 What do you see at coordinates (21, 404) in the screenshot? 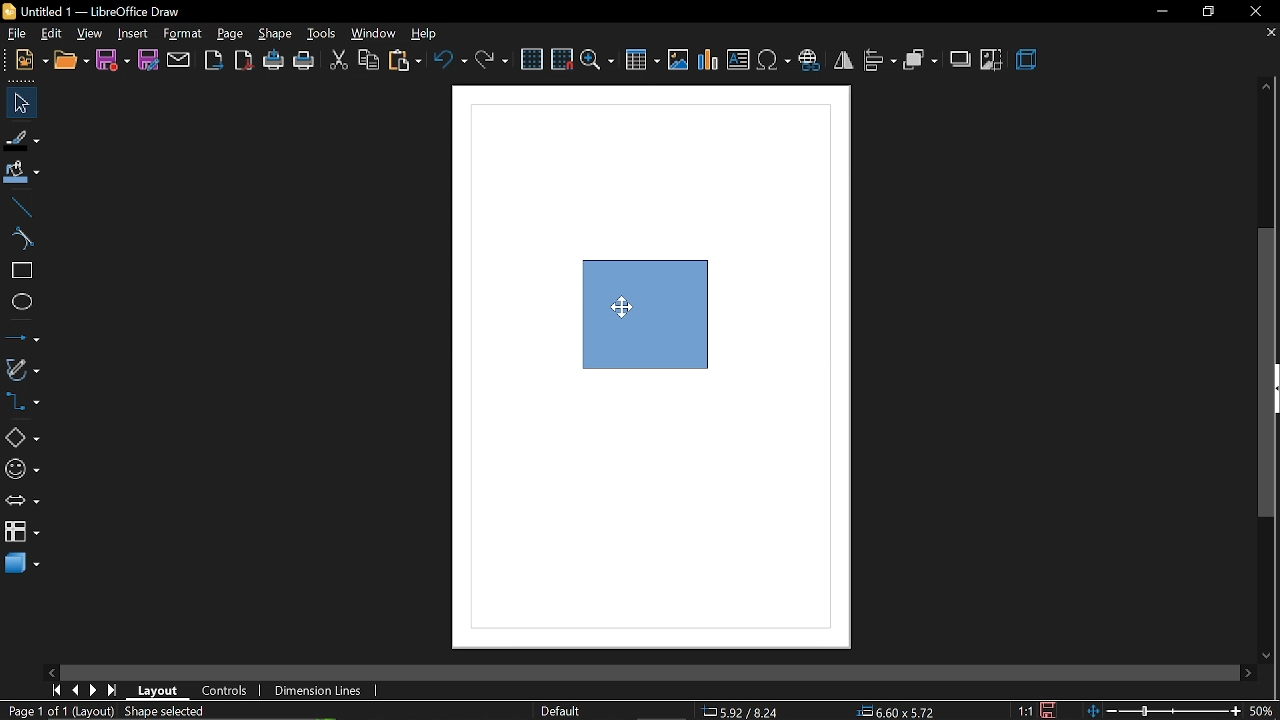
I see `Connector` at bounding box center [21, 404].